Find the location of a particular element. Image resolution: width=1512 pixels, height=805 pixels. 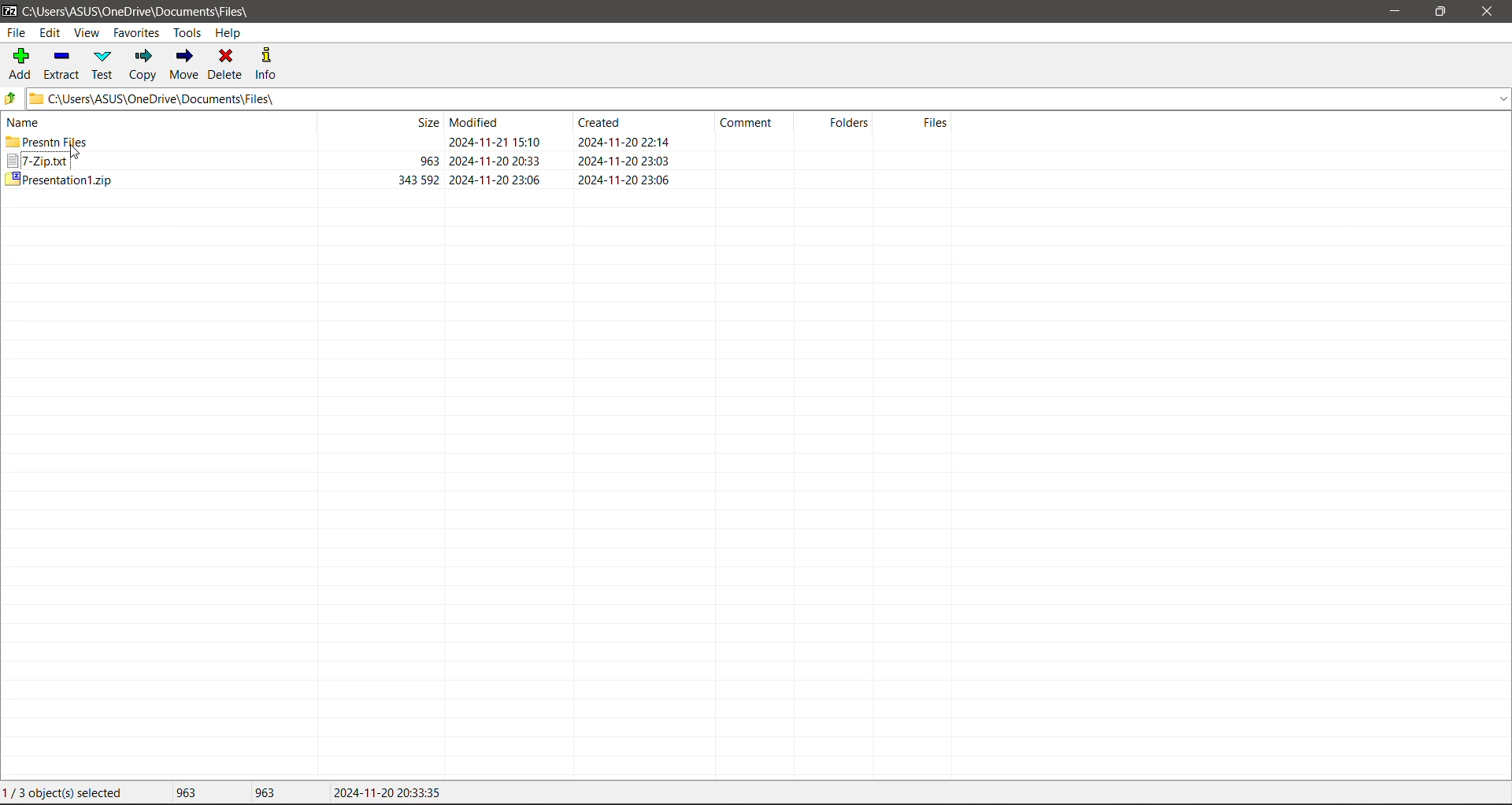

size is located at coordinates (419, 122).